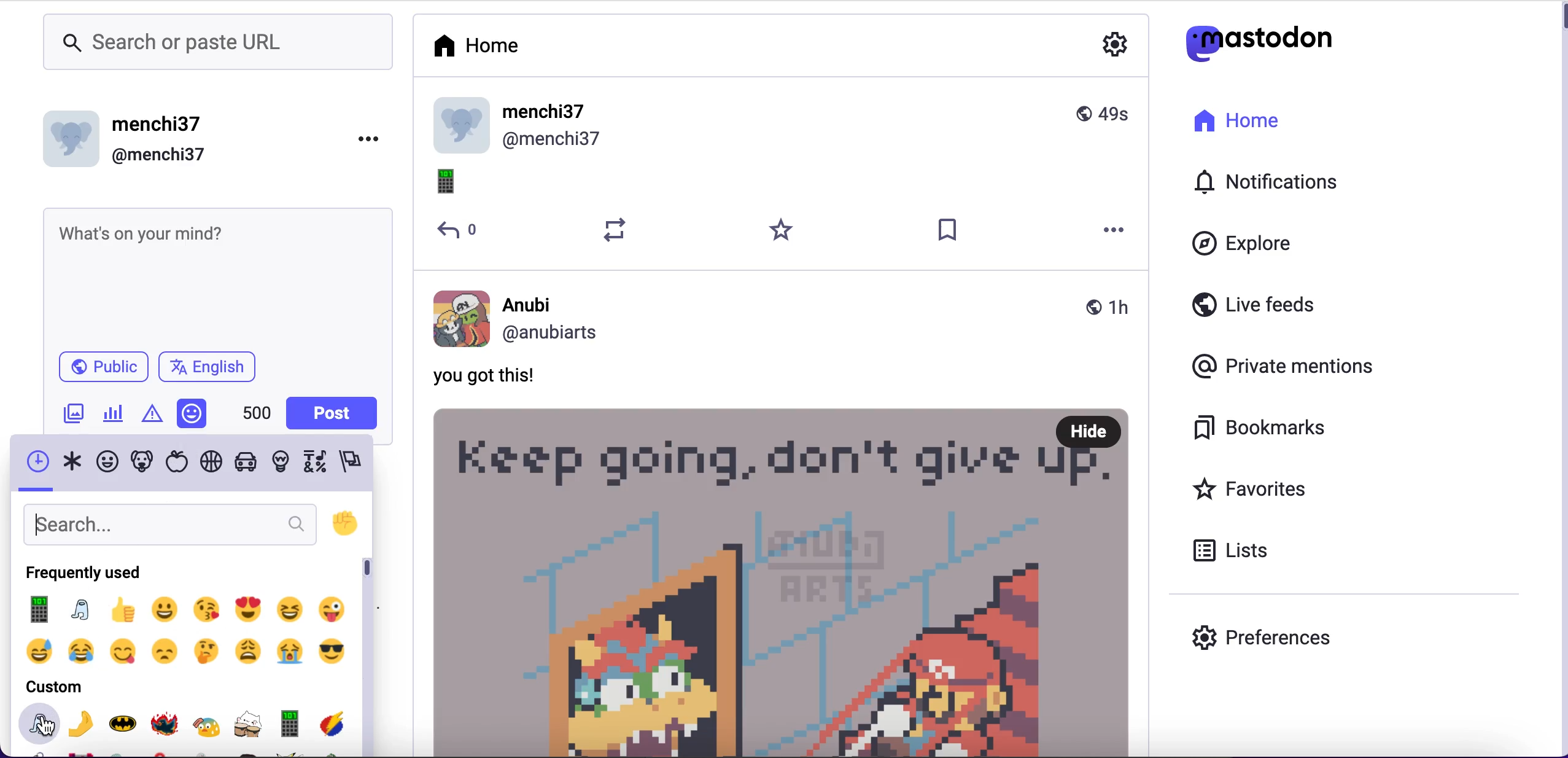  What do you see at coordinates (949, 231) in the screenshot?
I see `save` at bounding box center [949, 231].